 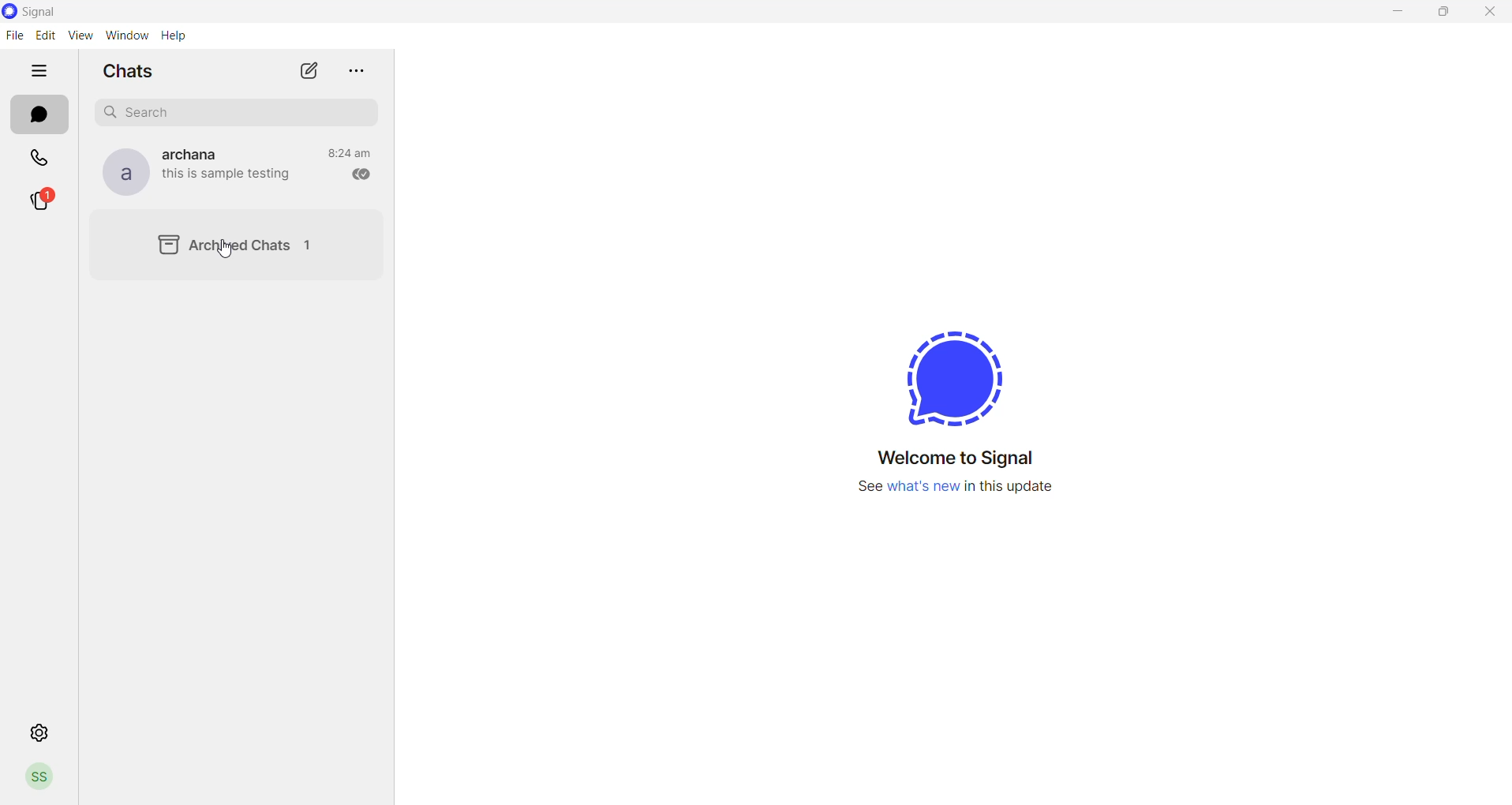 What do you see at coordinates (37, 72) in the screenshot?
I see `hide` at bounding box center [37, 72].